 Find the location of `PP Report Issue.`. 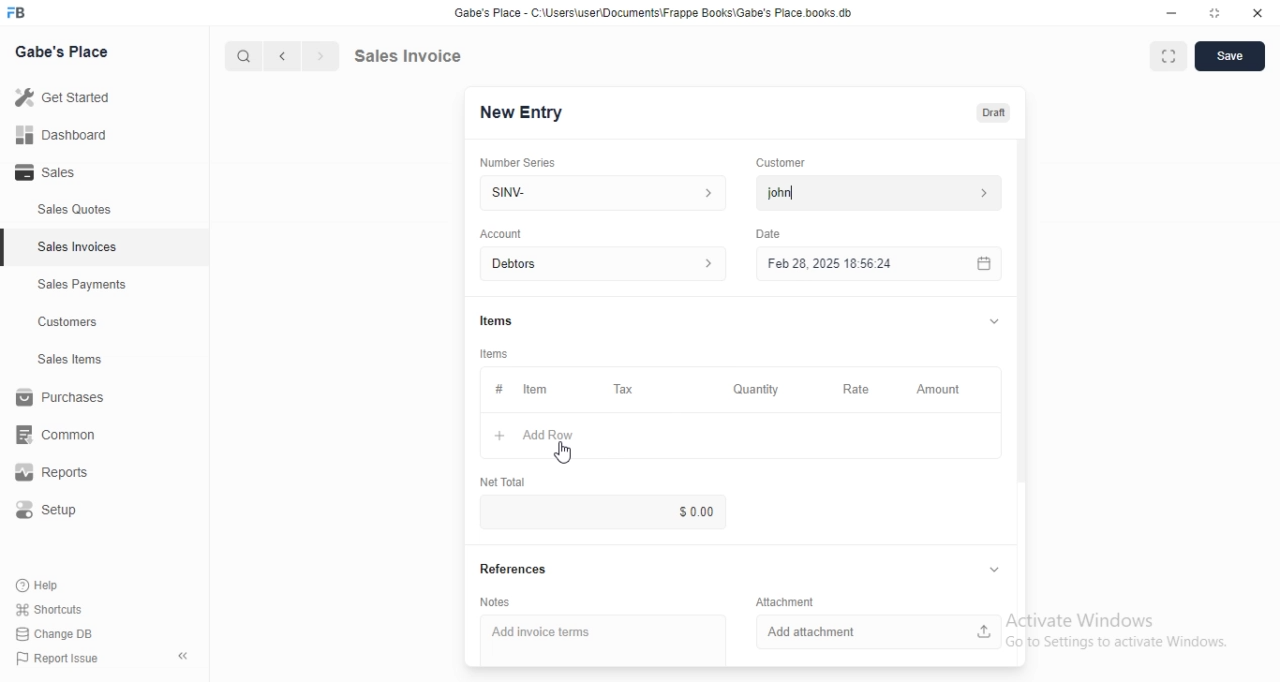

PP Report Issue. is located at coordinates (64, 662).